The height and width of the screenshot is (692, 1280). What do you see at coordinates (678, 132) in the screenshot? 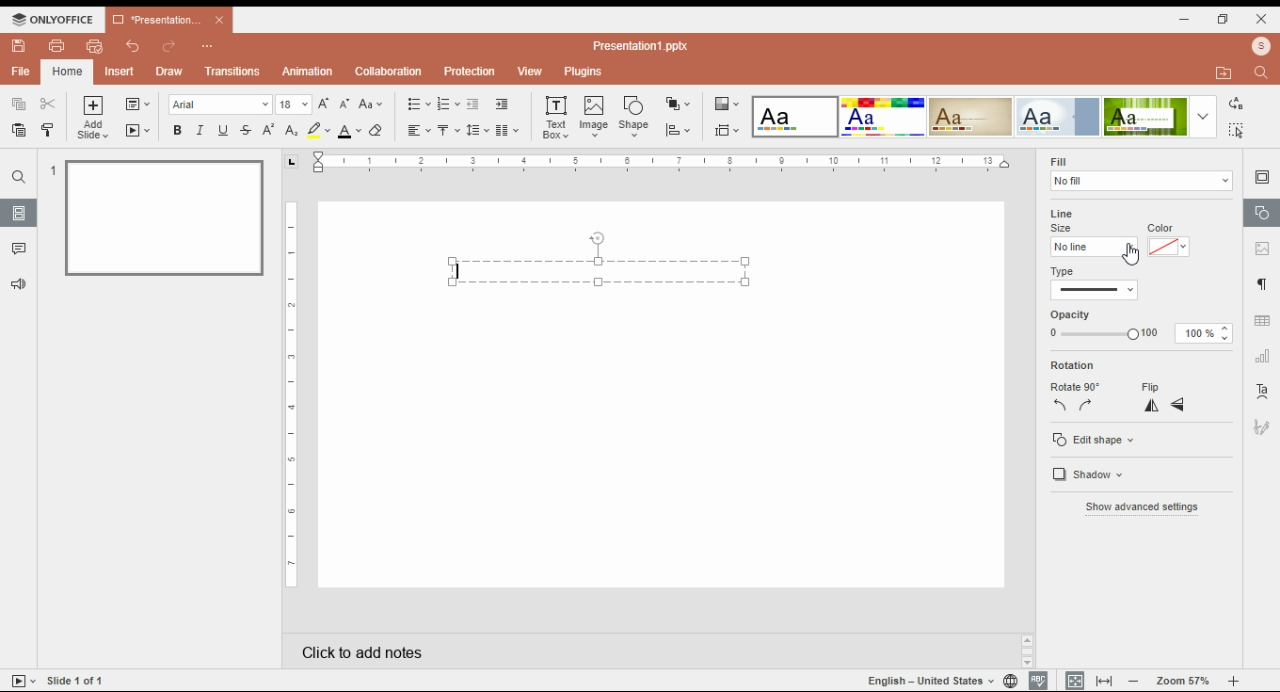
I see `align shapes` at bounding box center [678, 132].